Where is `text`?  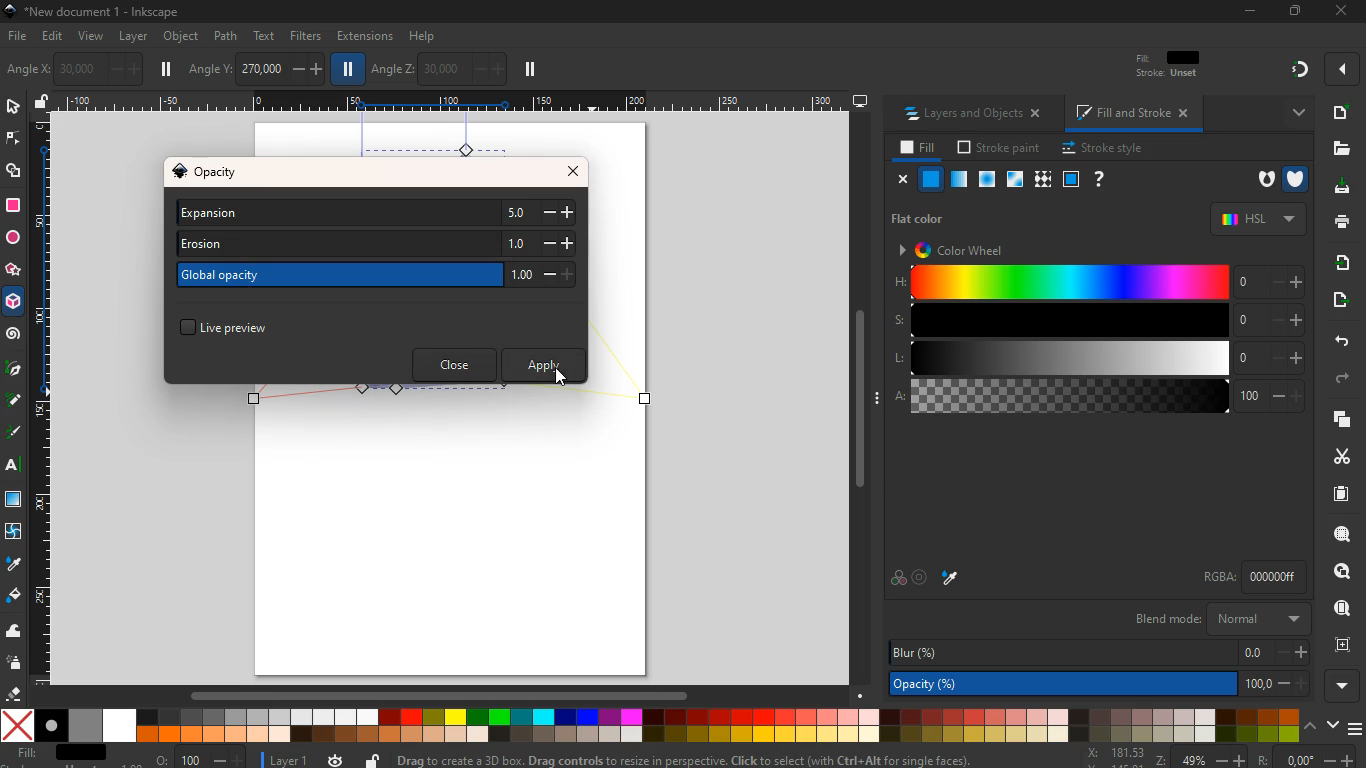 text is located at coordinates (10, 466).